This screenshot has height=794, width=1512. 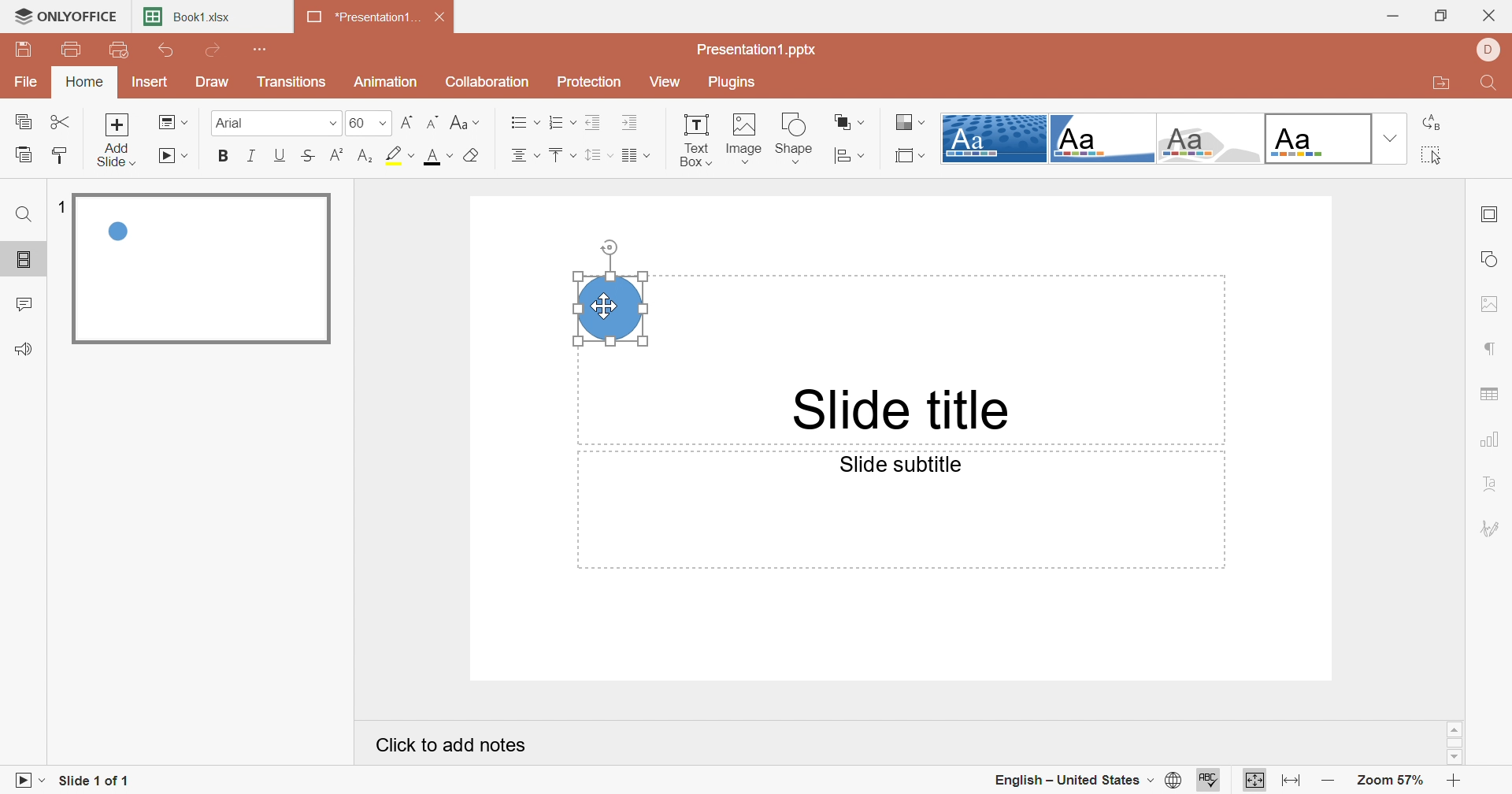 What do you see at coordinates (1492, 347) in the screenshot?
I see `Paragrah settings` at bounding box center [1492, 347].